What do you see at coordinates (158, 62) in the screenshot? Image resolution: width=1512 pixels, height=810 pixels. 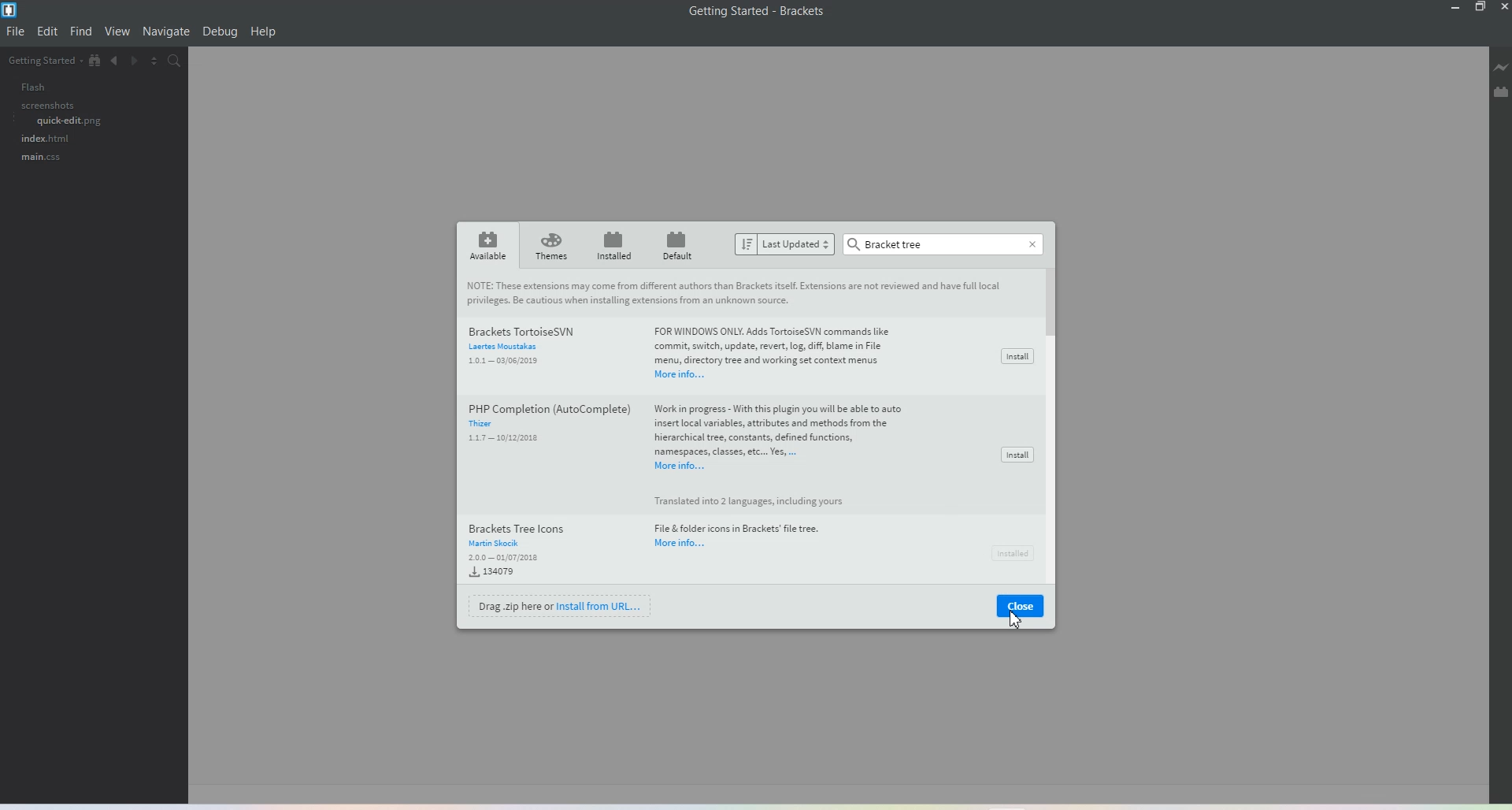 I see `Split the editor vertically or Horizontally` at bounding box center [158, 62].